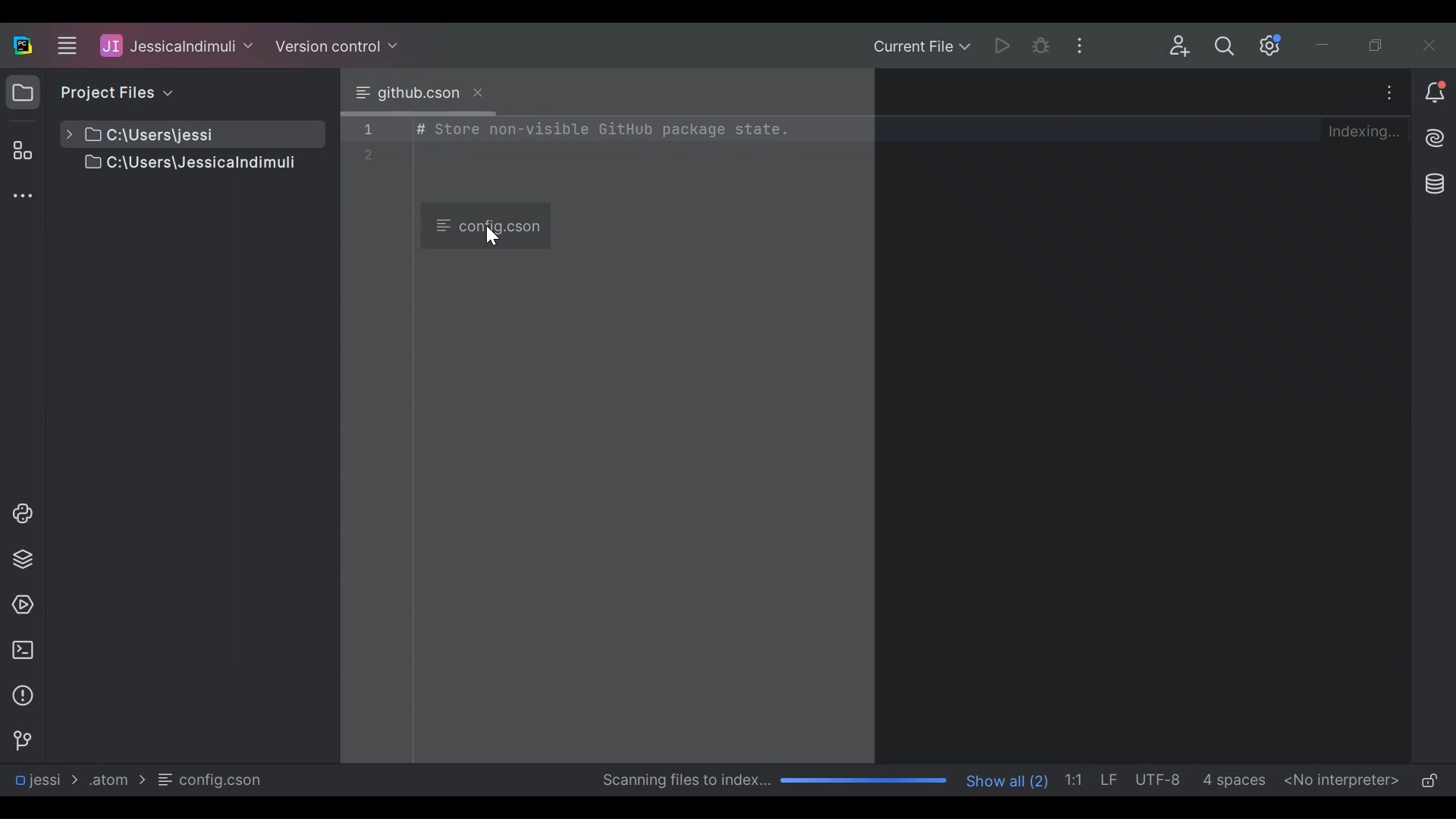 The width and height of the screenshot is (1456, 819). I want to click on Notification, so click(1433, 91).